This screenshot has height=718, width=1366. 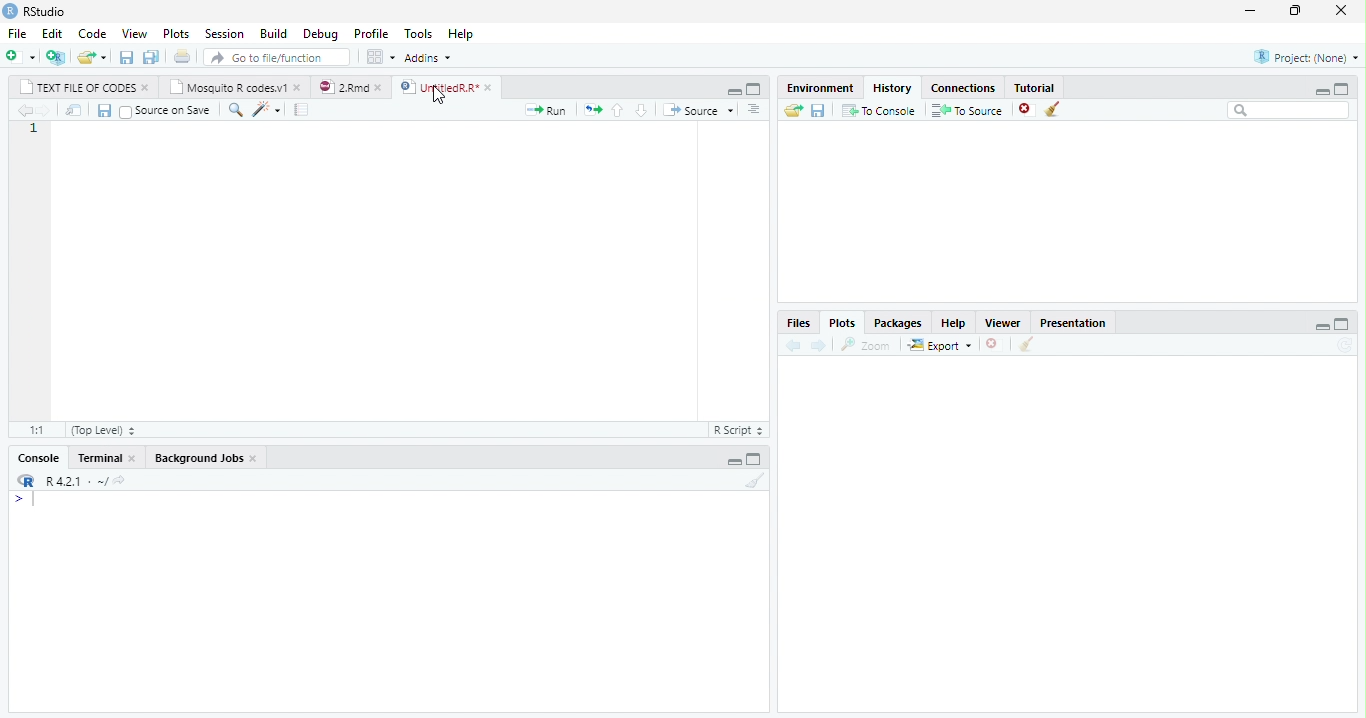 What do you see at coordinates (792, 108) in the screenshot?
I see `load history` at bounding box center [792, 108].